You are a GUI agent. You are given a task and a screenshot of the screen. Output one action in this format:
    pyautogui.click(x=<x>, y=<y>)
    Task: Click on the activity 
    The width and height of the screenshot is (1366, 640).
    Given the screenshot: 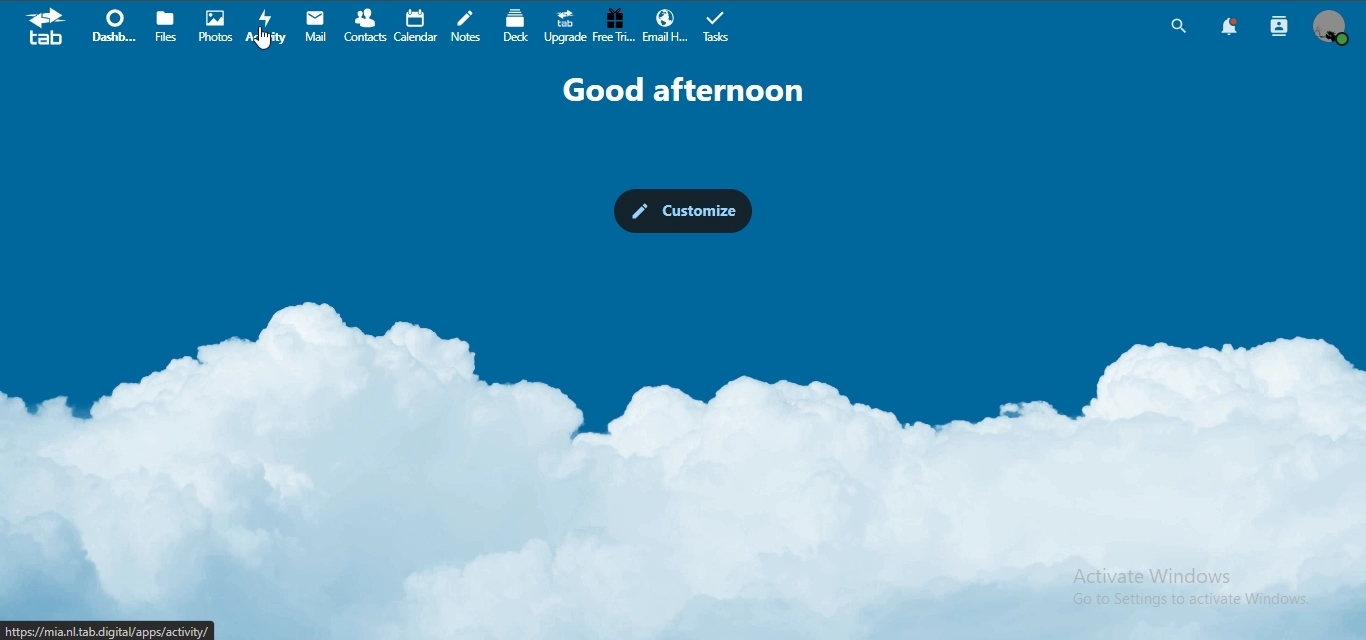 What is the action you would take?
    pyautogui.click(x=265, y=28)
    